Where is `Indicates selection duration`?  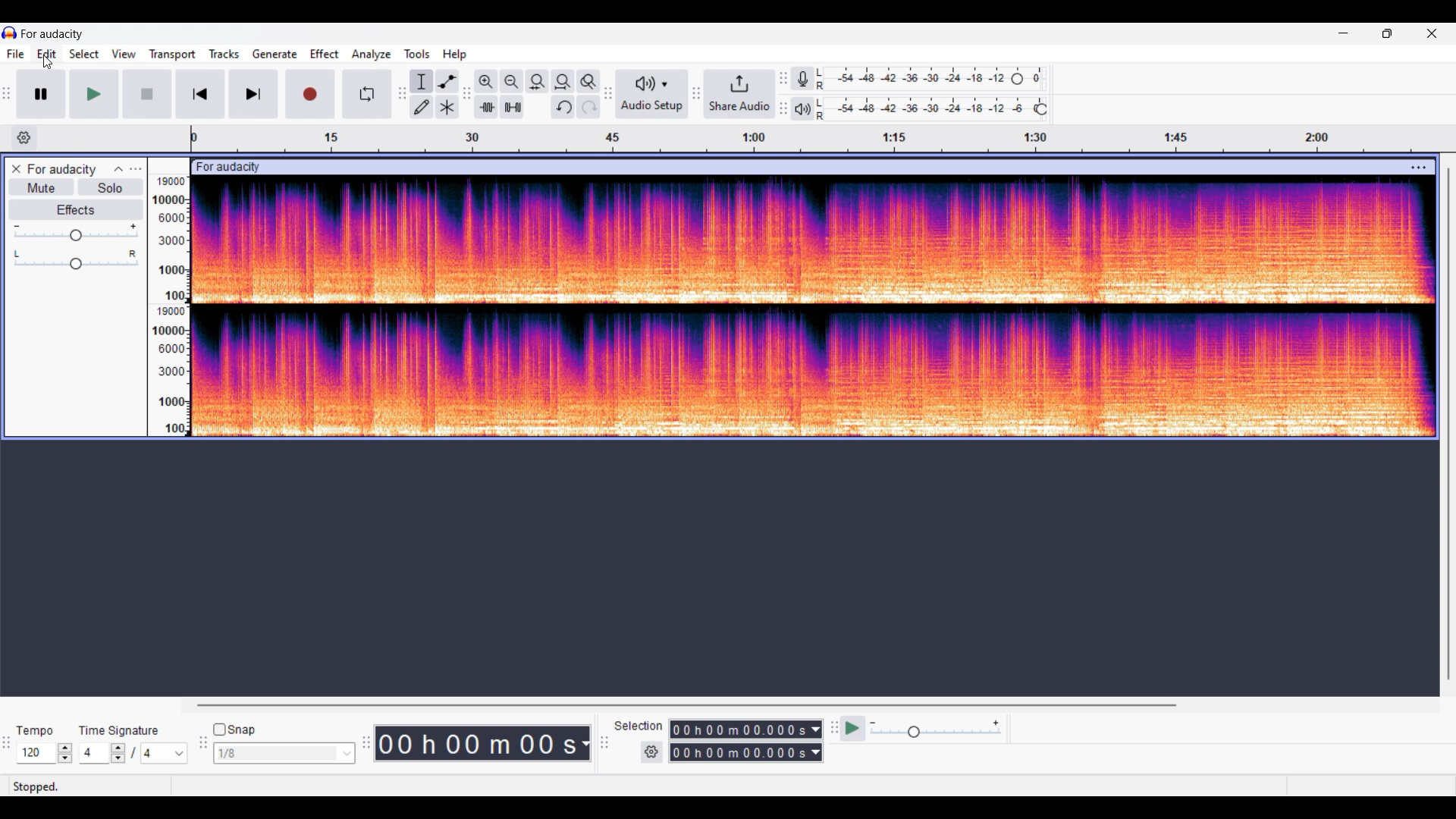
Indicates selection duration is located at coordinates (639, 726).